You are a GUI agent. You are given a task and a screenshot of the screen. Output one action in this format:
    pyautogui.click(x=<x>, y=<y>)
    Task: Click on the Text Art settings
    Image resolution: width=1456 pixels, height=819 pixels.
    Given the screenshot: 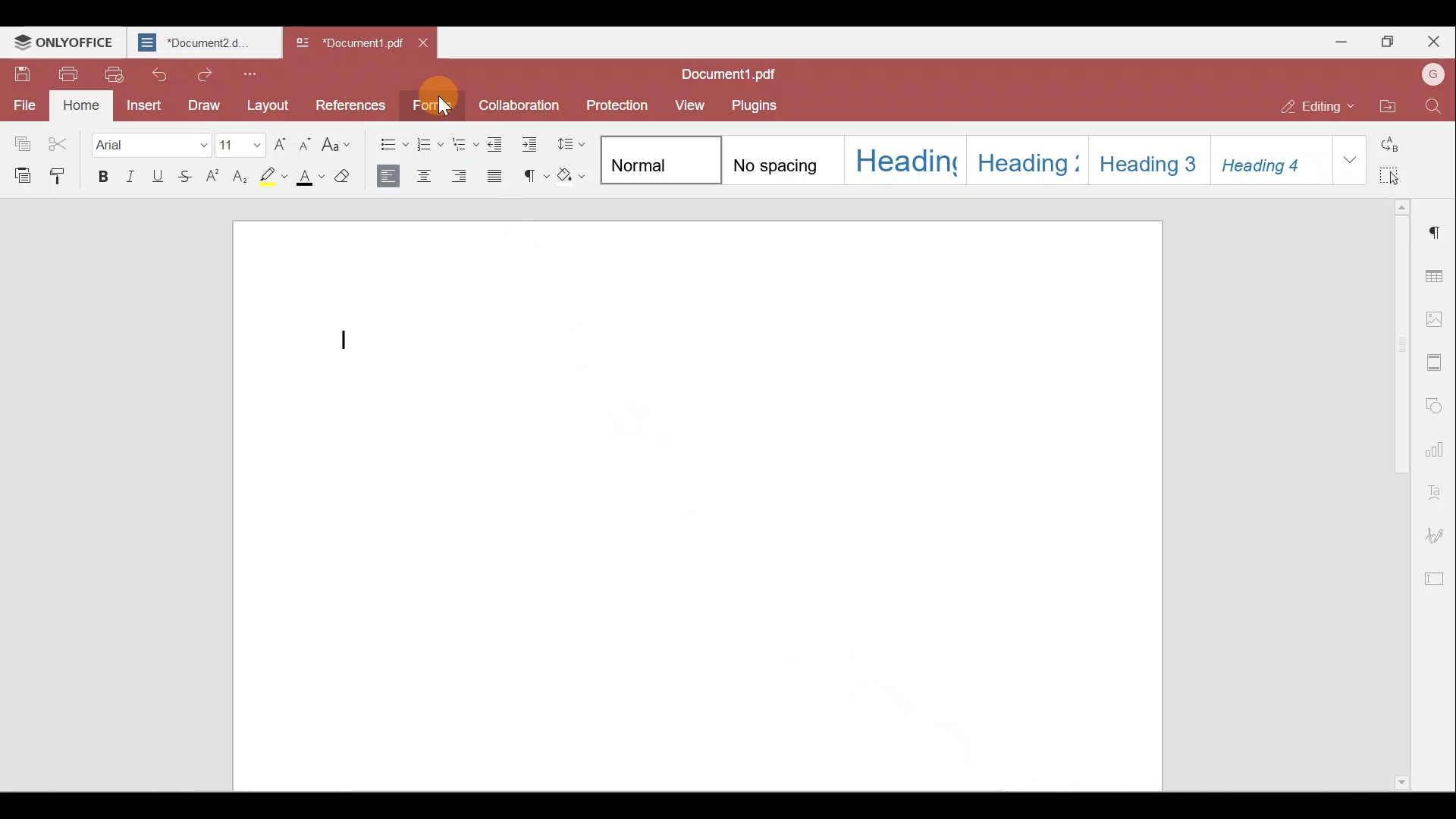 What is the action you would take?
    pyautogui.click(x=1438, y=488)
    